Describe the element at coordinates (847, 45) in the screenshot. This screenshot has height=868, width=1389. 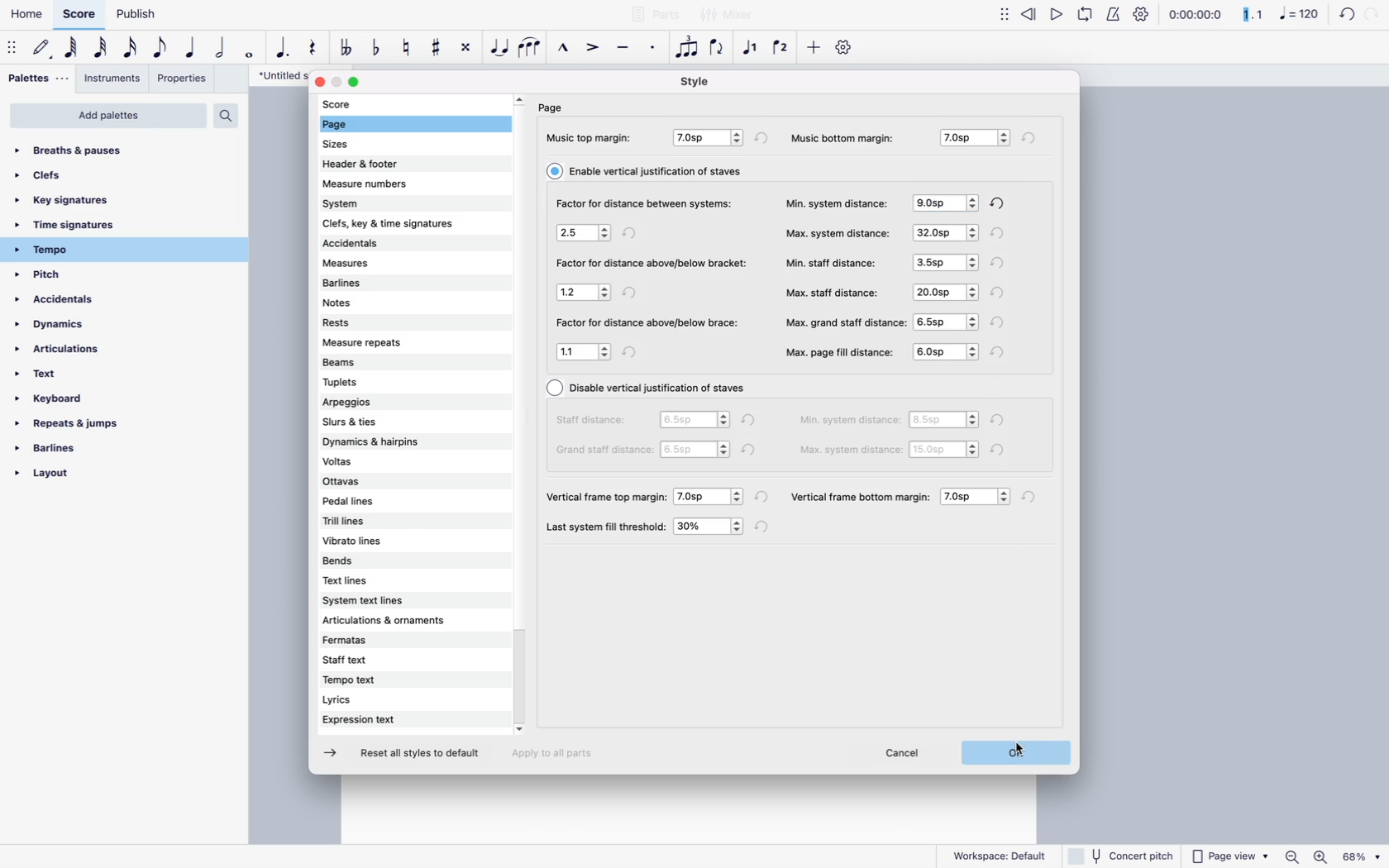
I see `Setting` at that location.